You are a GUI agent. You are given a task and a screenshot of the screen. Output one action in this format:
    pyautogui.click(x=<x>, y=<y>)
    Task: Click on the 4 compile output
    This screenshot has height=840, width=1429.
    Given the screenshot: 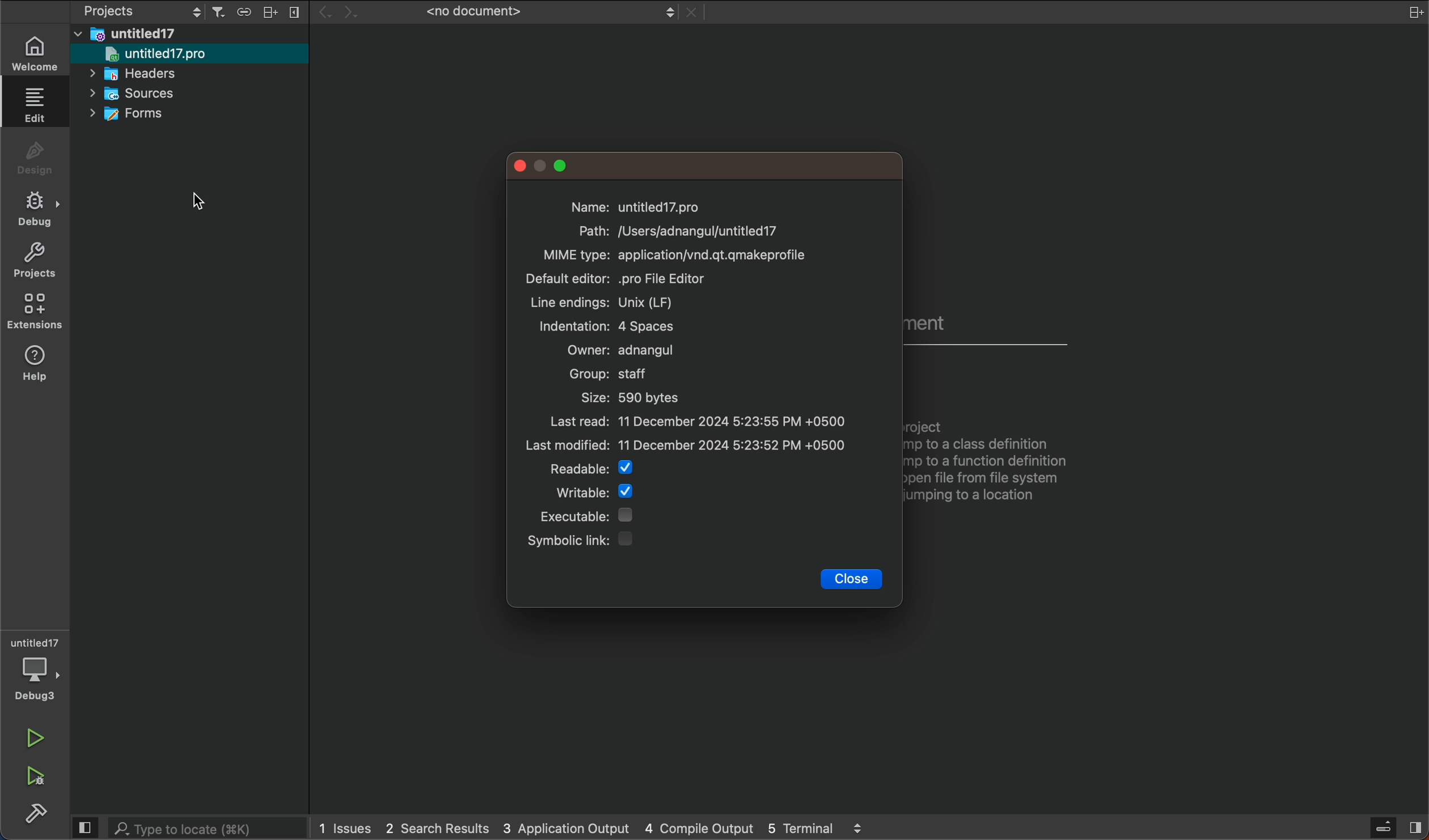 What is the action you would take?
    pyautogui.click(x=703, y=828)
    